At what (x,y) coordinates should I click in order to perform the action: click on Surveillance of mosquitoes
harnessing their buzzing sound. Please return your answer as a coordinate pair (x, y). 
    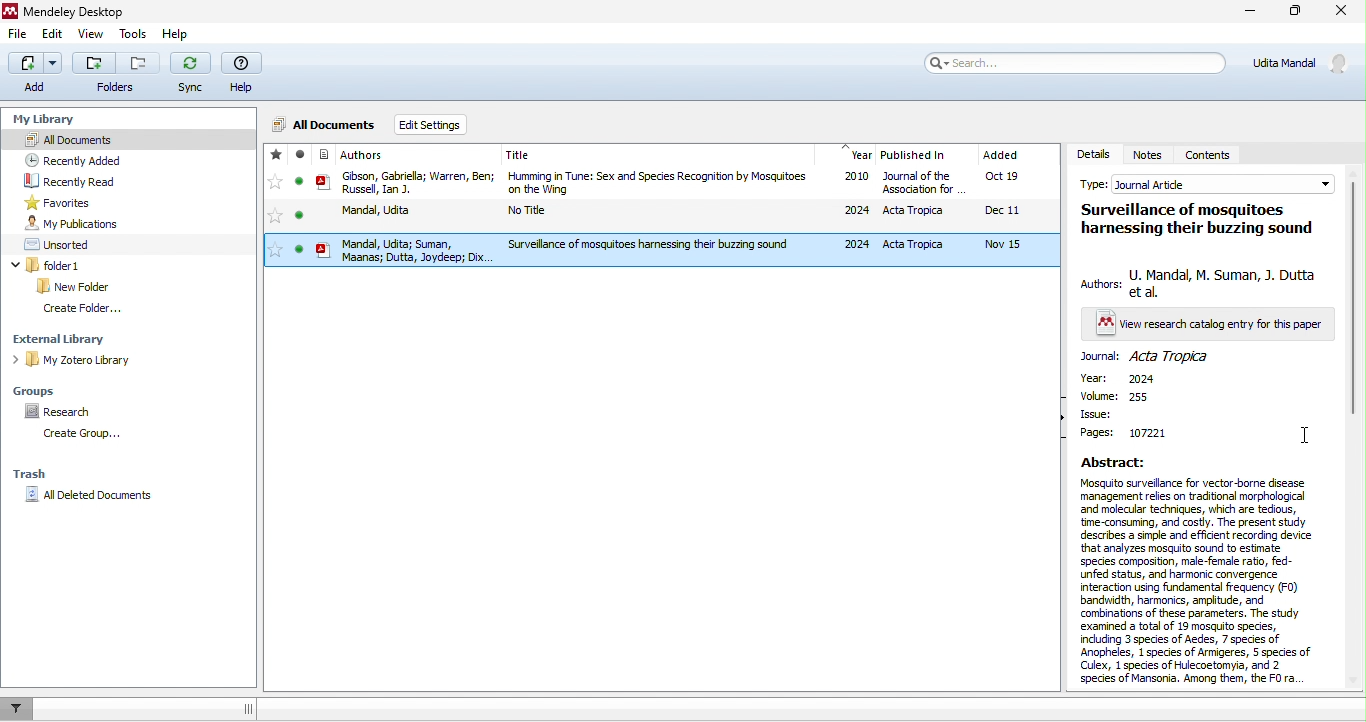
    Looking at the image, I should click on (1193, 217).